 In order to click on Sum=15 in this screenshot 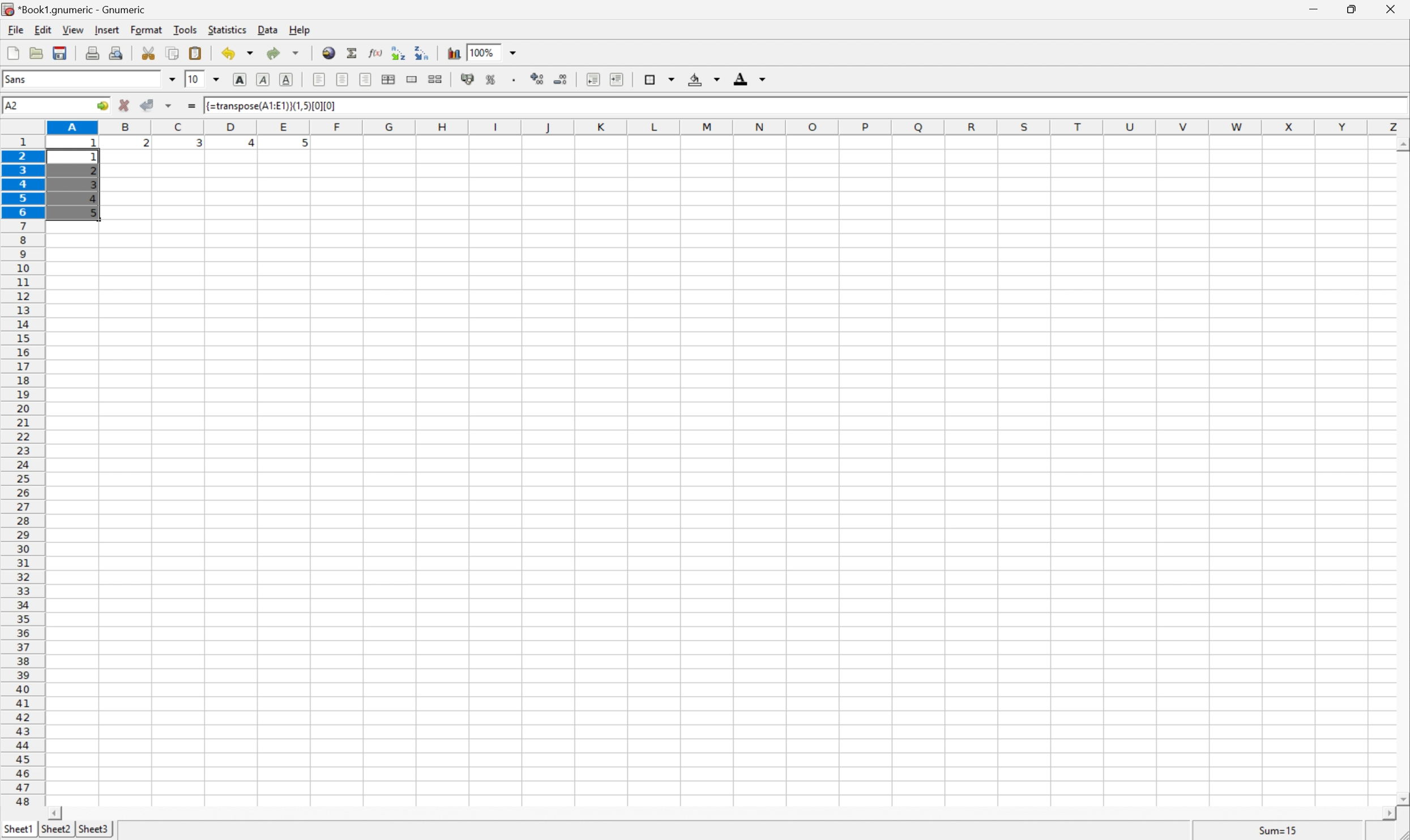, I will do `click(1279, 829)`.